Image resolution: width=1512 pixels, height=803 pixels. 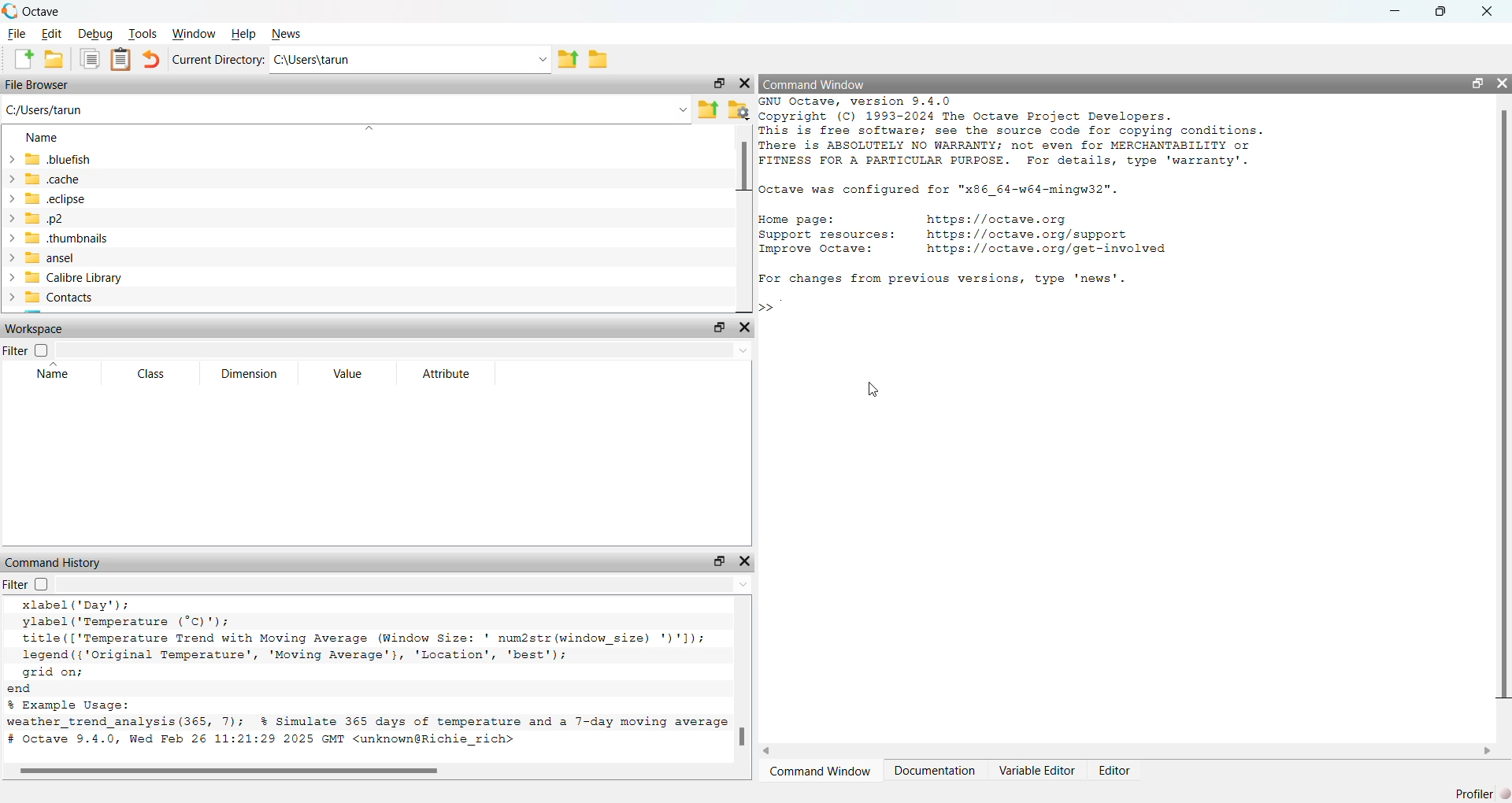 What do you see at coordinates (1503, 408) in the screenshot?
I see `scroll bar` at bounding box center [1503, 408].